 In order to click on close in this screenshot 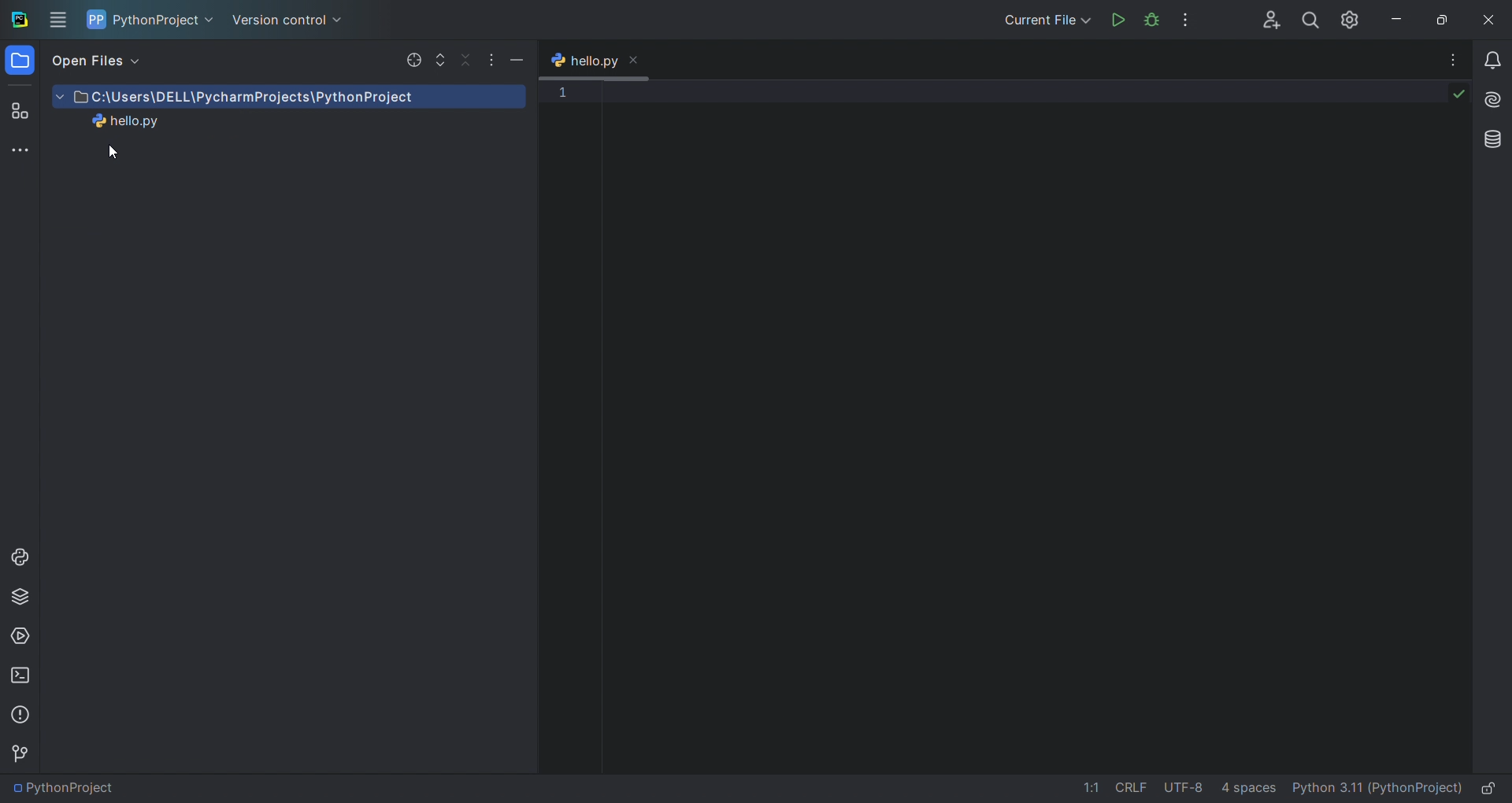, I will do `click(1488, 20)`.